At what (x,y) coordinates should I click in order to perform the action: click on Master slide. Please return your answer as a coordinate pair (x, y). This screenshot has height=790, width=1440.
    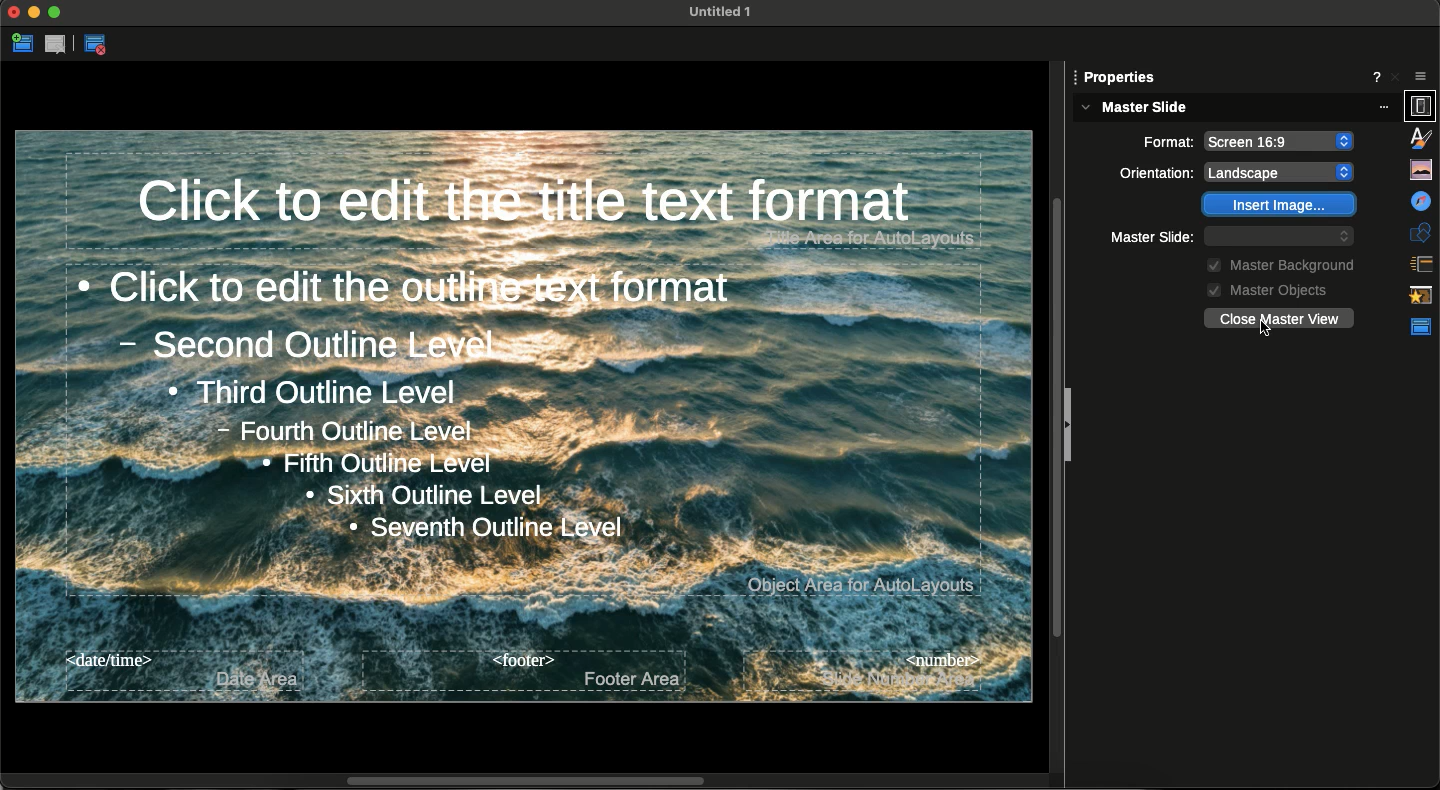
    Looking at the image, I should click on (1156, 236).